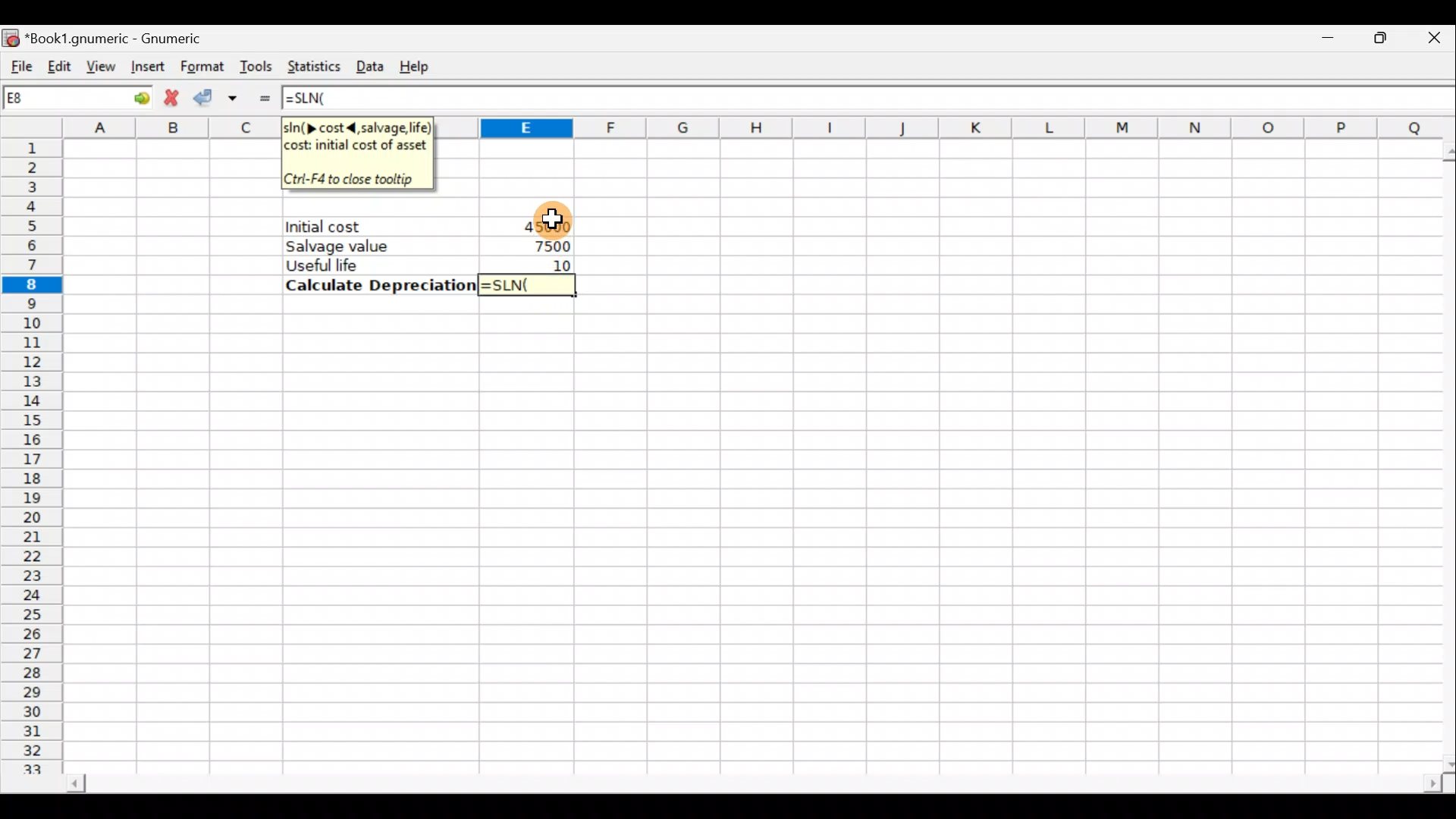  What do you see at coordinates (1325, 42) in the screenshot?
I see `Minimize` at bounding box center [1325, 42].